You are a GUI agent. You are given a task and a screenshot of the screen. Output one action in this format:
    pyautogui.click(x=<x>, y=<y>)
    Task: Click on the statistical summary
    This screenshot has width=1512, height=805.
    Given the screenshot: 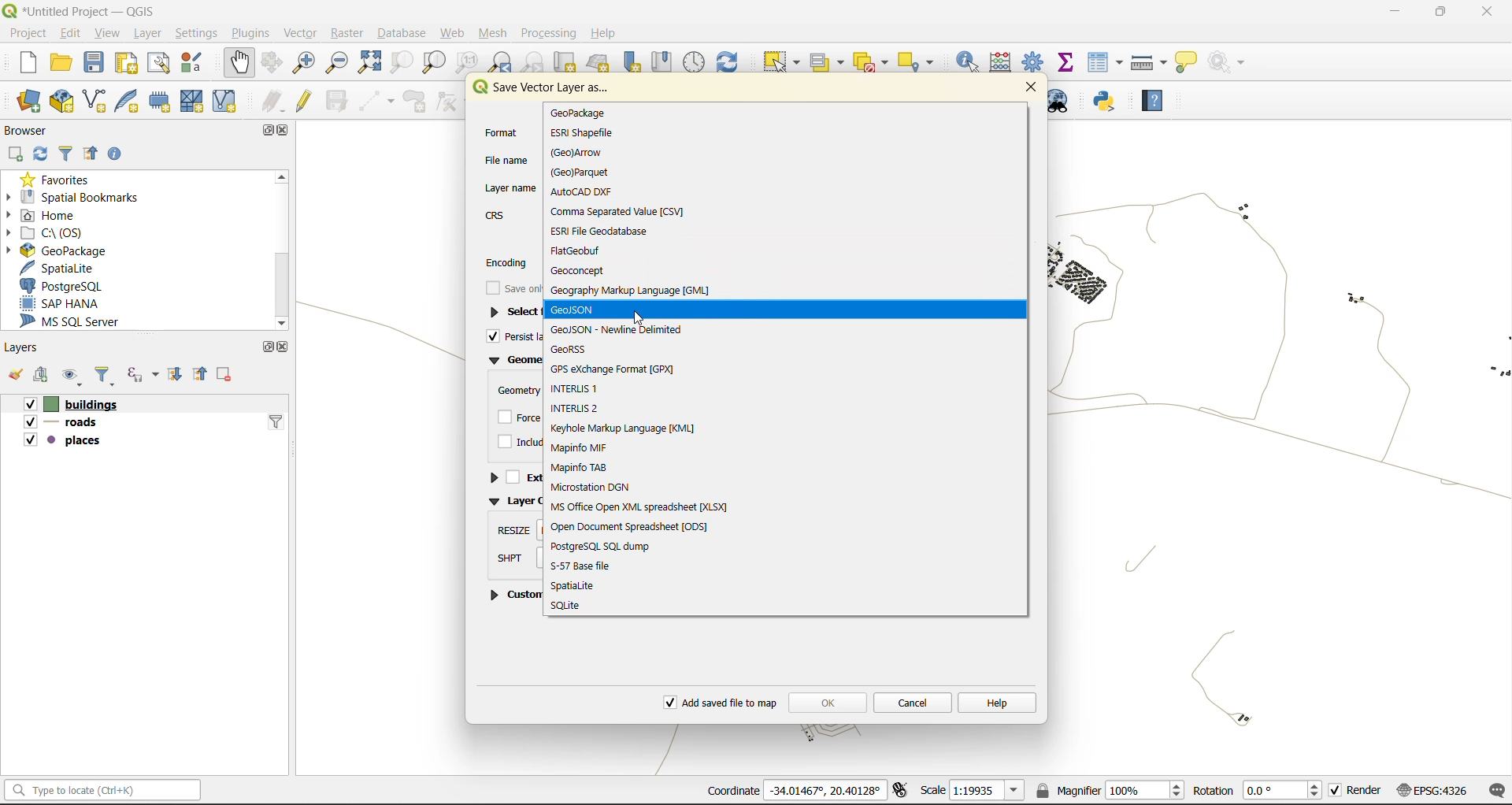 What is the action you would take?
    pyautogui.click(x=1068, y=62)
    